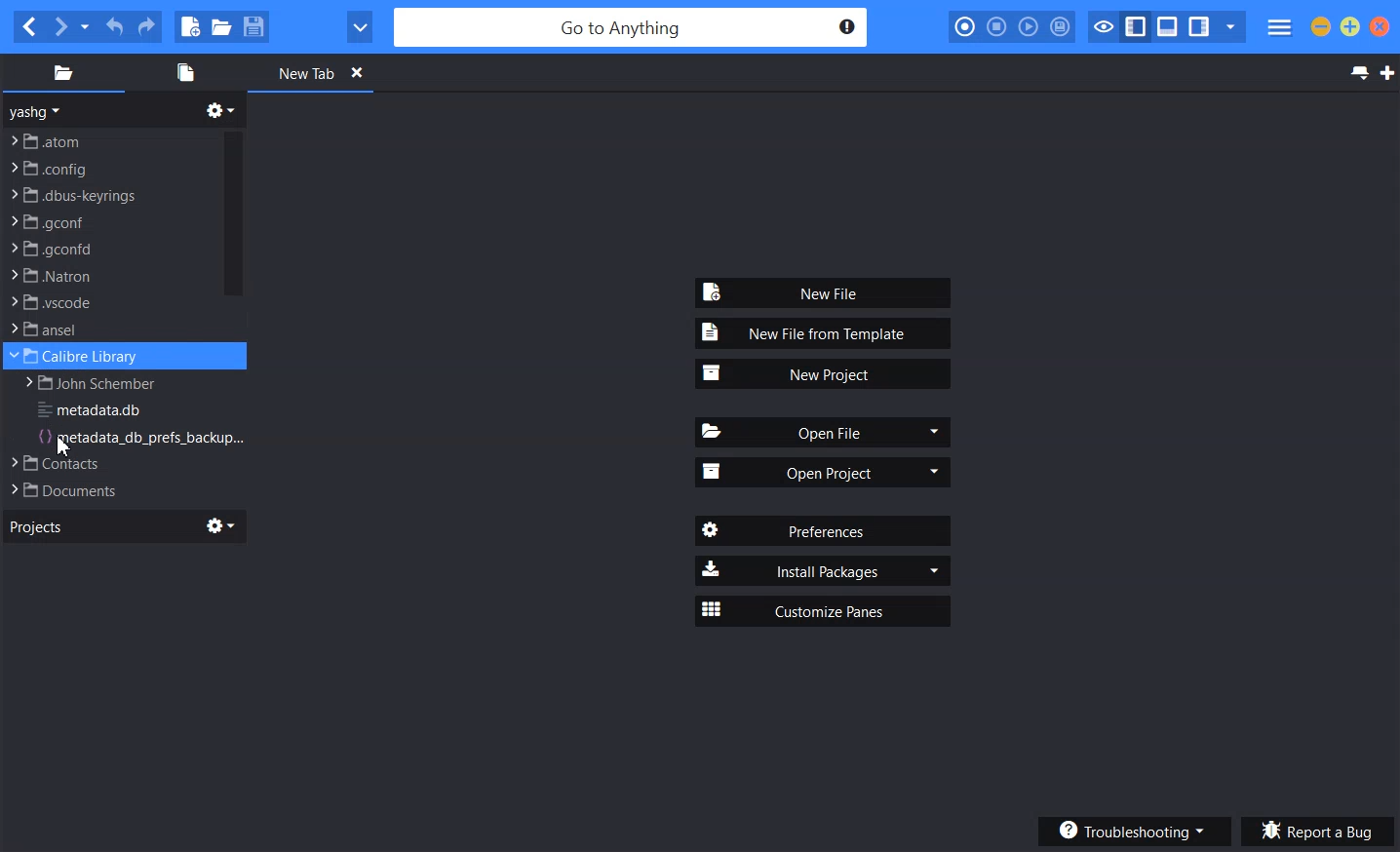  What do you see at coordinates (220, 110) in the screenshot?
I see `Directory related function` at bounding box center [220, 110].